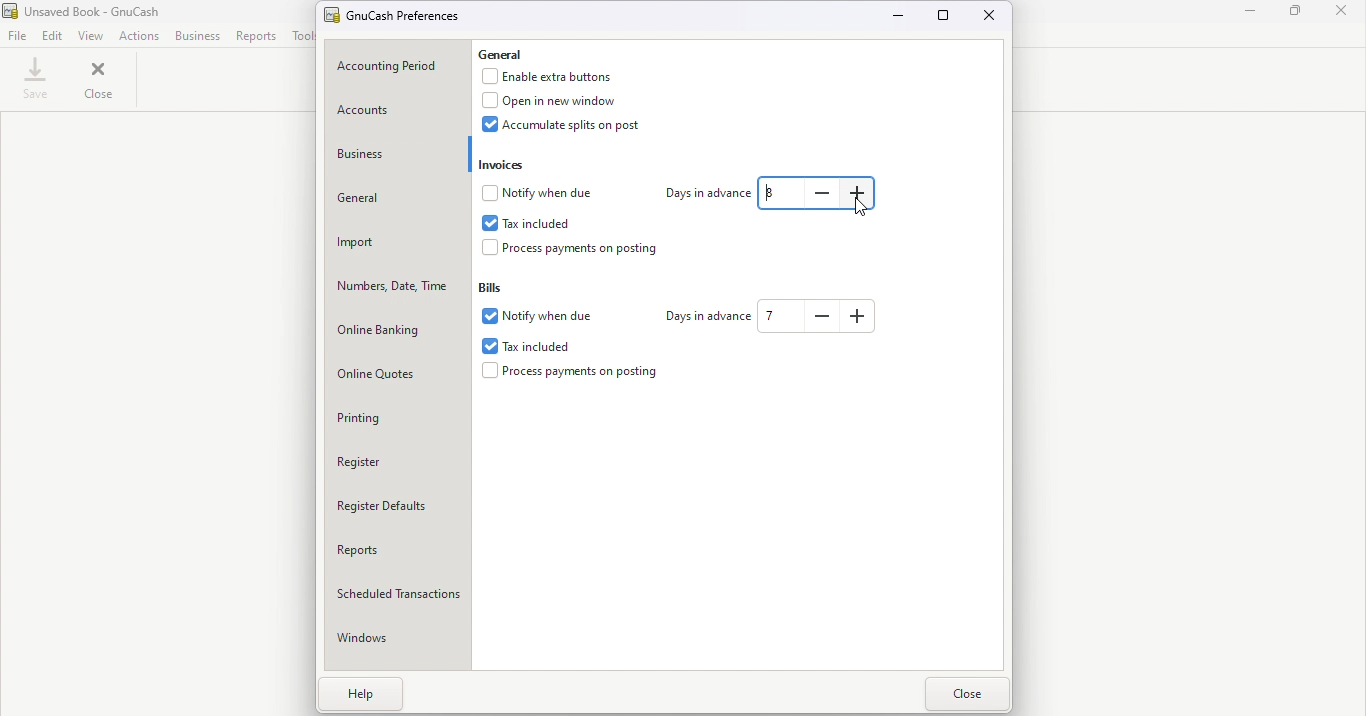 The image size is (1366, 716). Describe the element at coordinates (780, 193) in the screenshot. I see `How many days in the future to warn about Invoices coming due` at that location.